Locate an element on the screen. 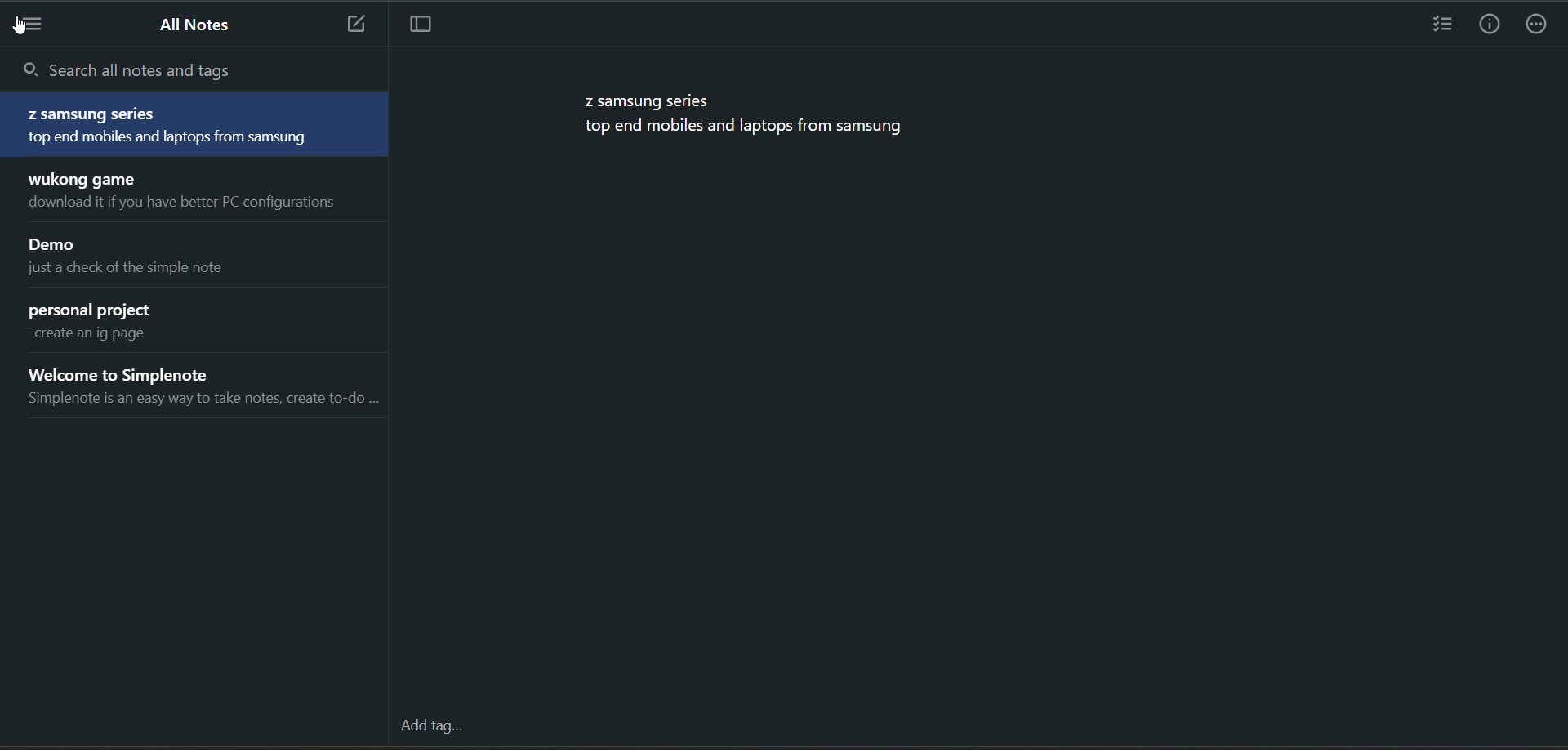 The width and height of the screenshot is (1568, 750). Z samsung series
top end mobiles and laptops from samsung is located at coordinates (196, 125).